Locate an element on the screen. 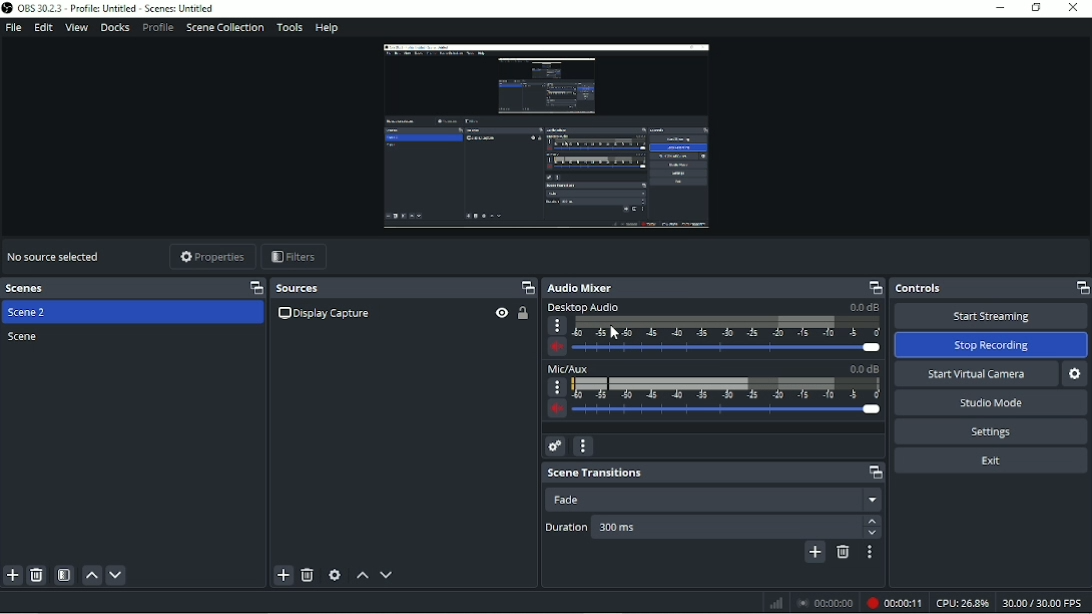 Image resolution: width=1092 pixels, height=614 pixels. Move source(s) down is located at coordinates (386, 574).